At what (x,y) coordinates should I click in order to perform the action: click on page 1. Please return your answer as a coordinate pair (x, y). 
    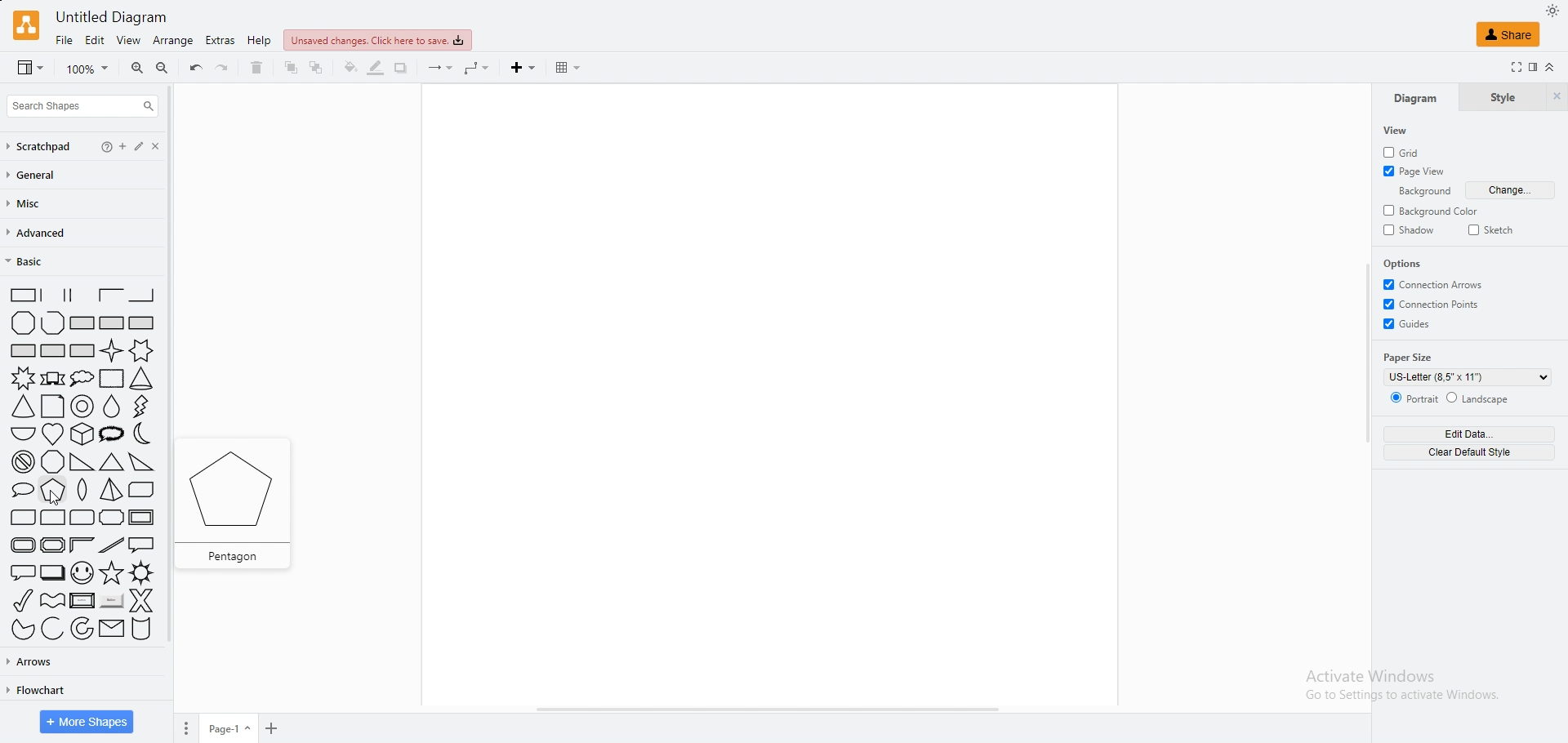
    Looking at the image, I should click on (231, 729).